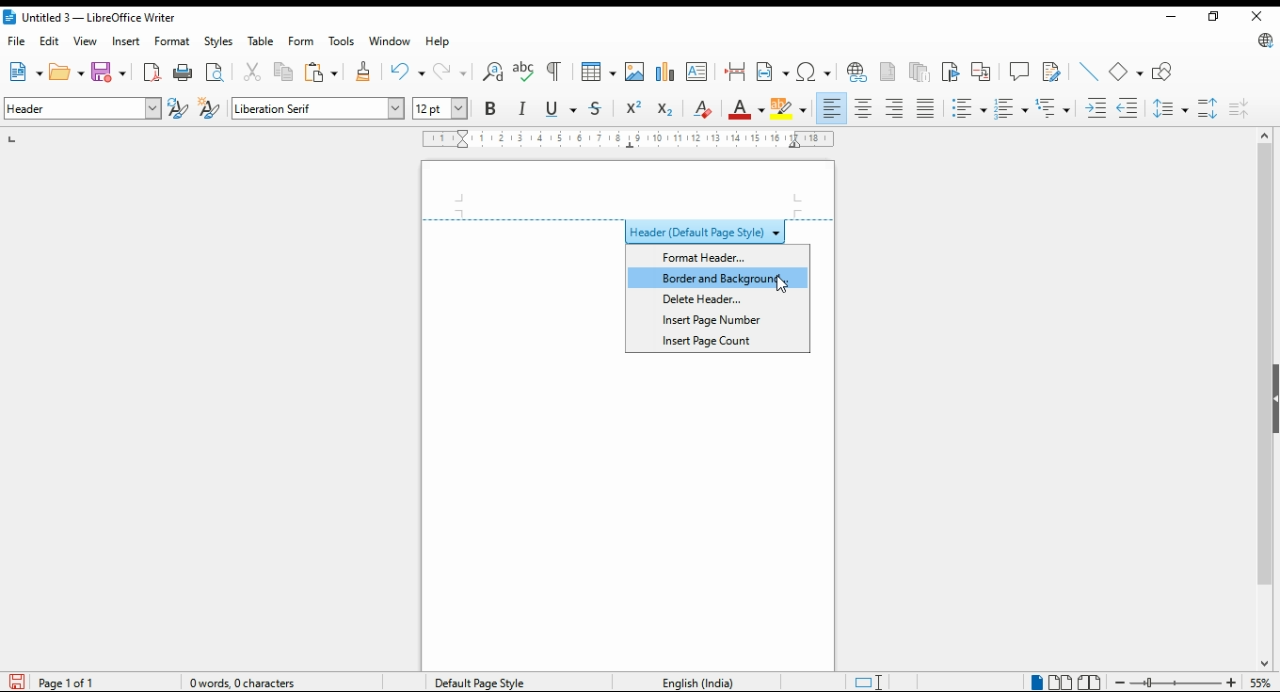  Describe the element at coordinates (1172, 108) in the screenshot. I see `set line spacing` at that location.